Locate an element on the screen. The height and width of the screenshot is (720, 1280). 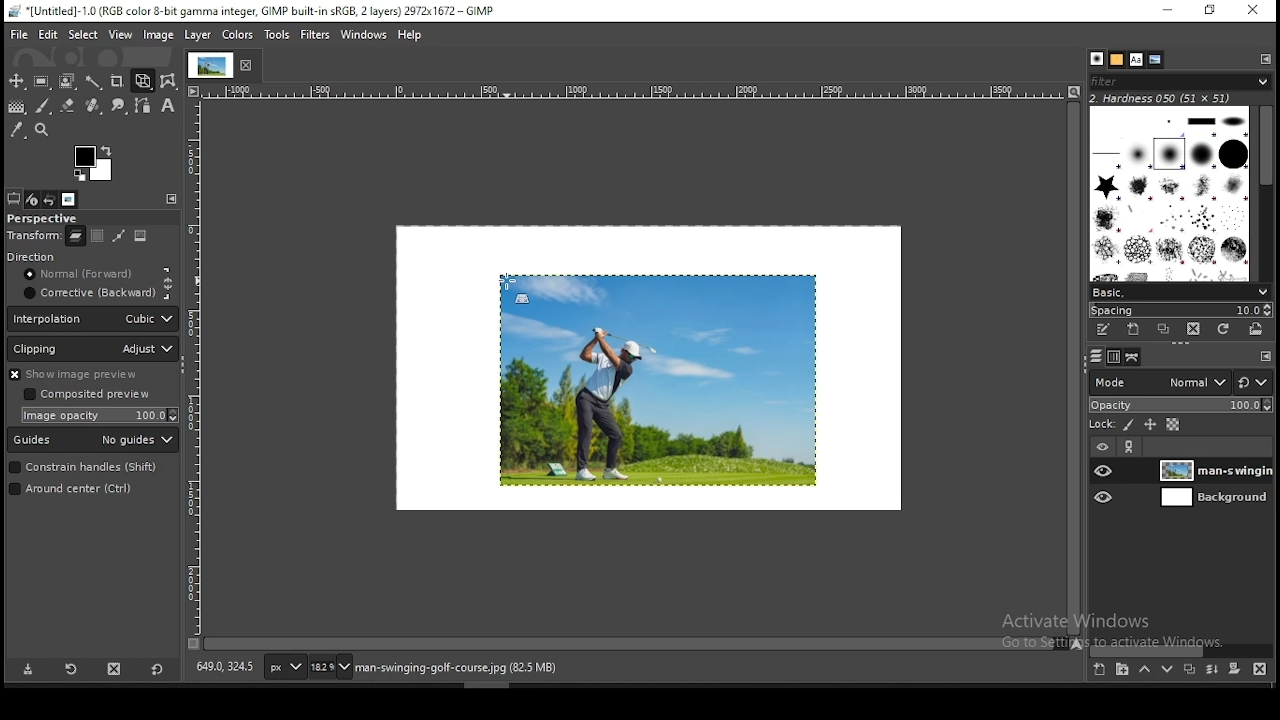
merge layer is located at coordinates (1212, 667).